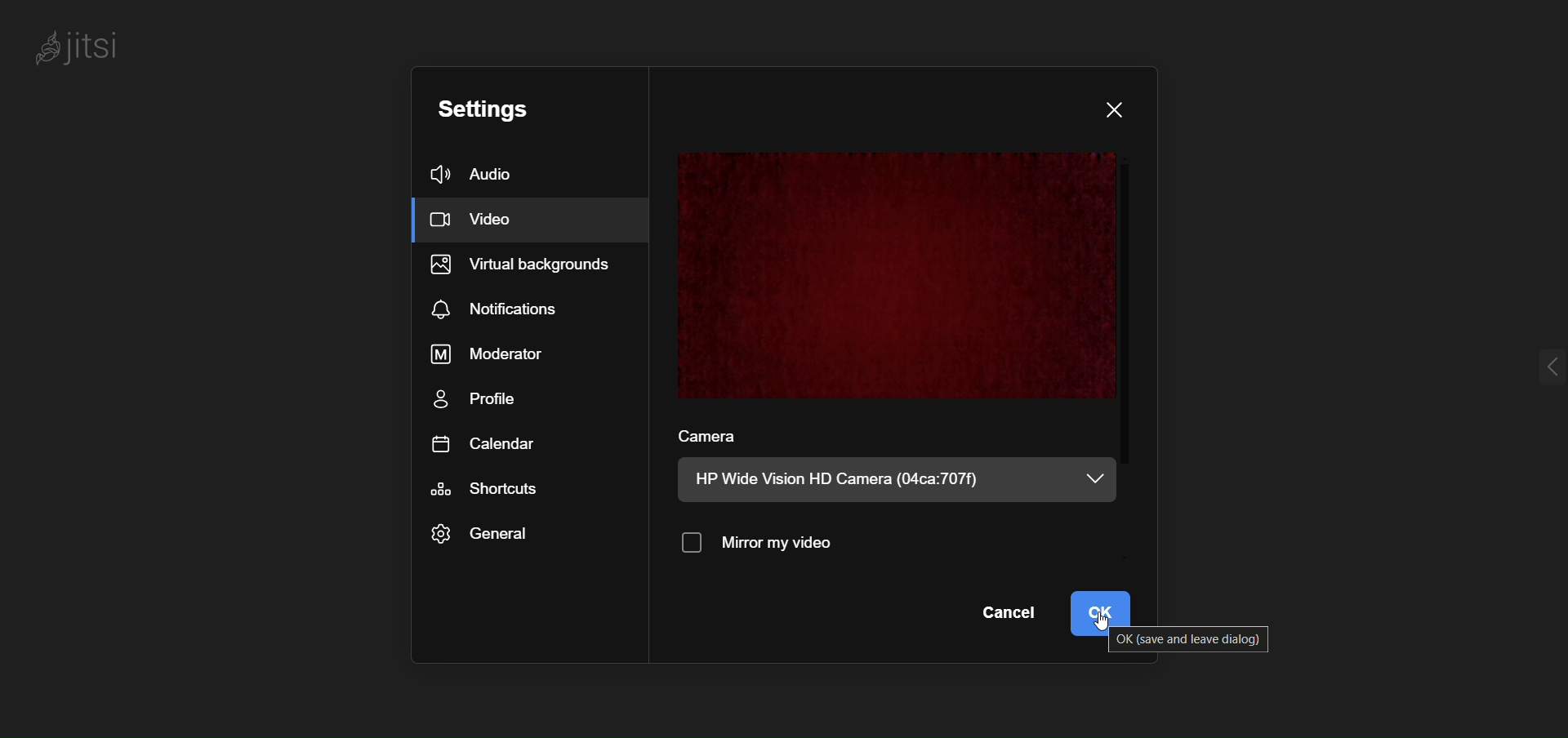 This screenshot has width=1568, height=738. What do you see at coordinates (532, 263) in the screenshot?
I see `virtual background` at bounding box center [532, 263].